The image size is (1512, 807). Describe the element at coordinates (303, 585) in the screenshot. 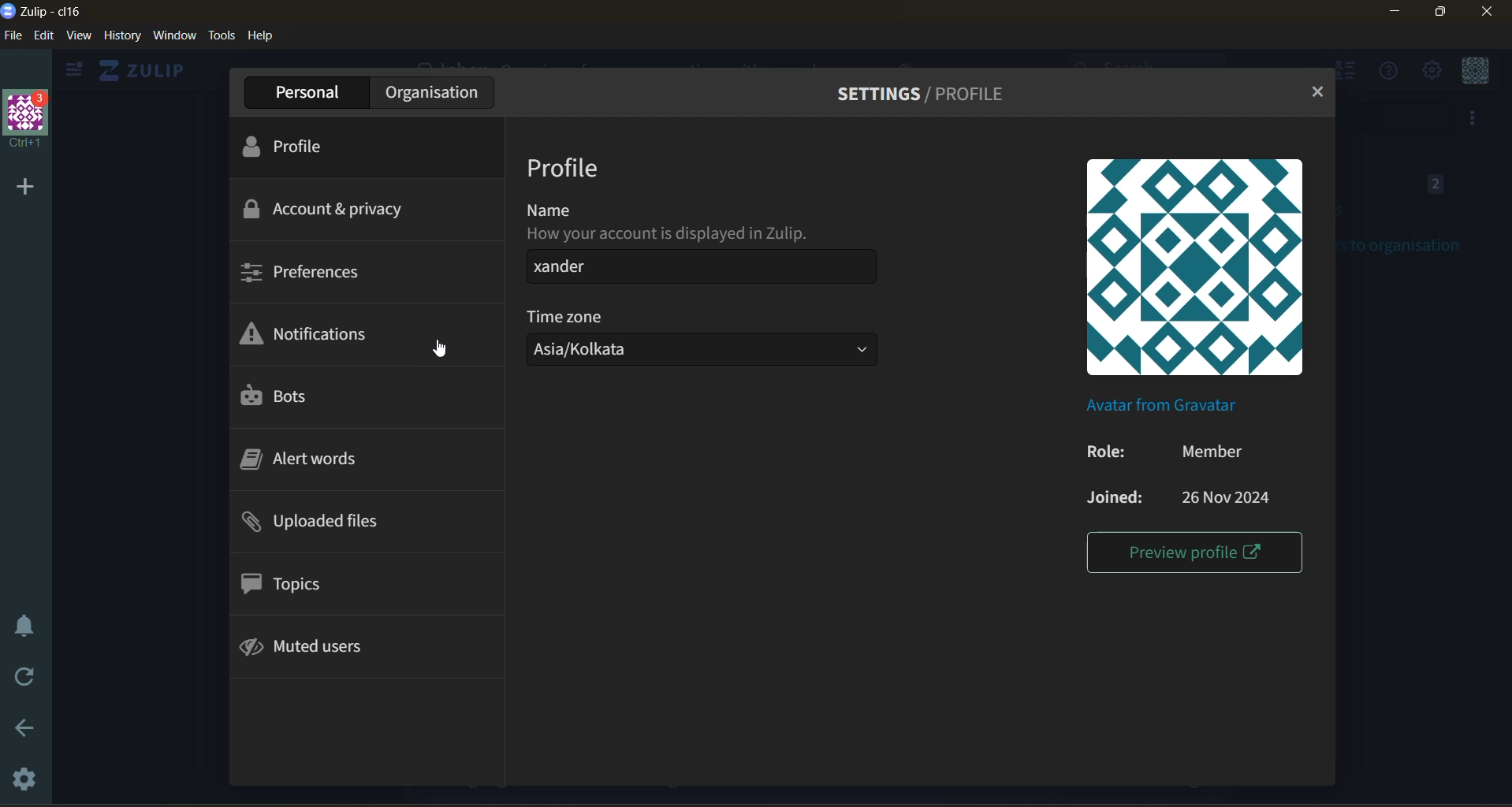

I see `topics` at that location.